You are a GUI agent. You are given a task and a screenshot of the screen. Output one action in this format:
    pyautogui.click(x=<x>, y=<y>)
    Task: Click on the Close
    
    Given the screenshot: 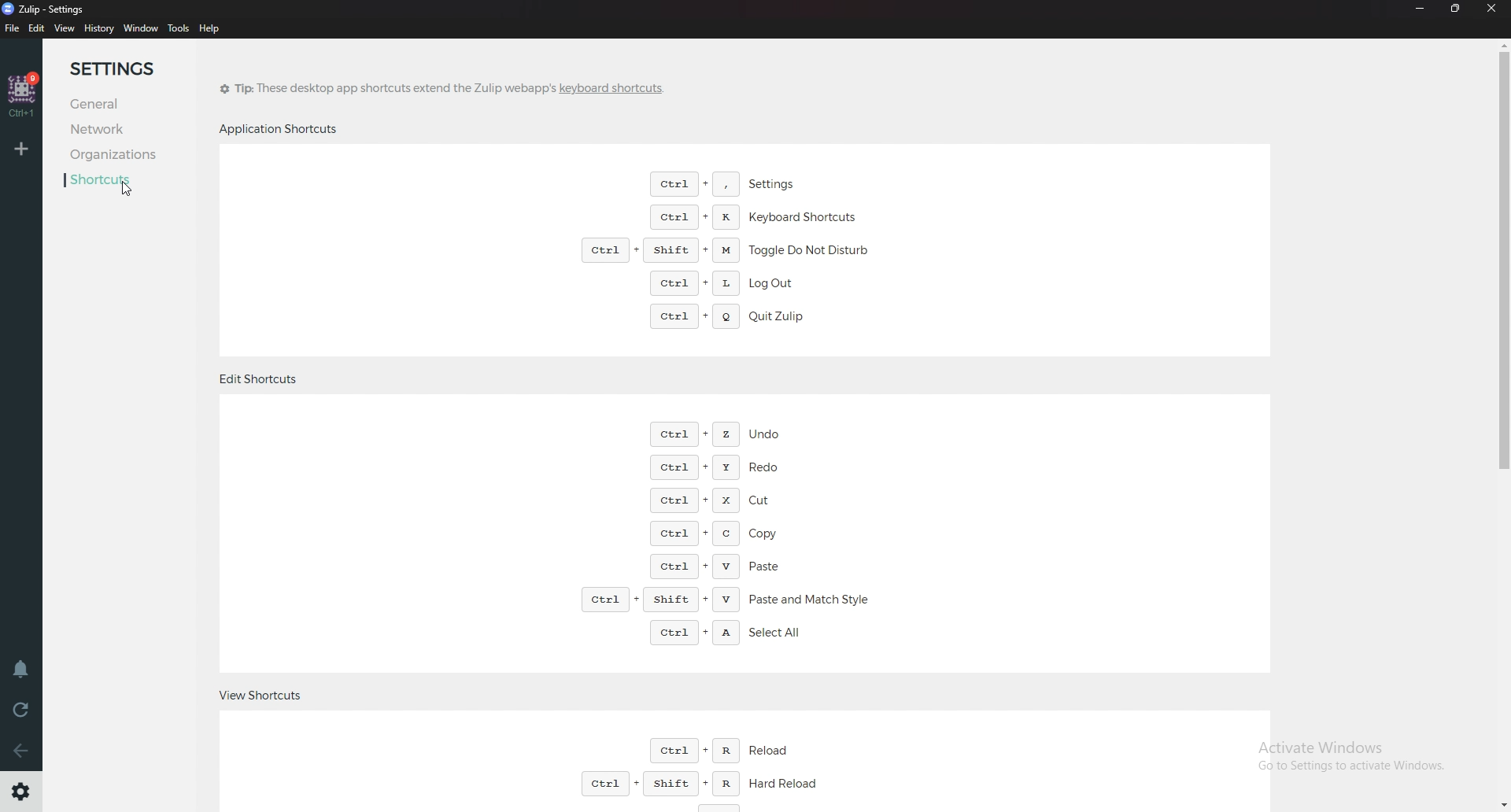 What is the action you would take?
    pyautogui.click(x=1493, y=10)
    